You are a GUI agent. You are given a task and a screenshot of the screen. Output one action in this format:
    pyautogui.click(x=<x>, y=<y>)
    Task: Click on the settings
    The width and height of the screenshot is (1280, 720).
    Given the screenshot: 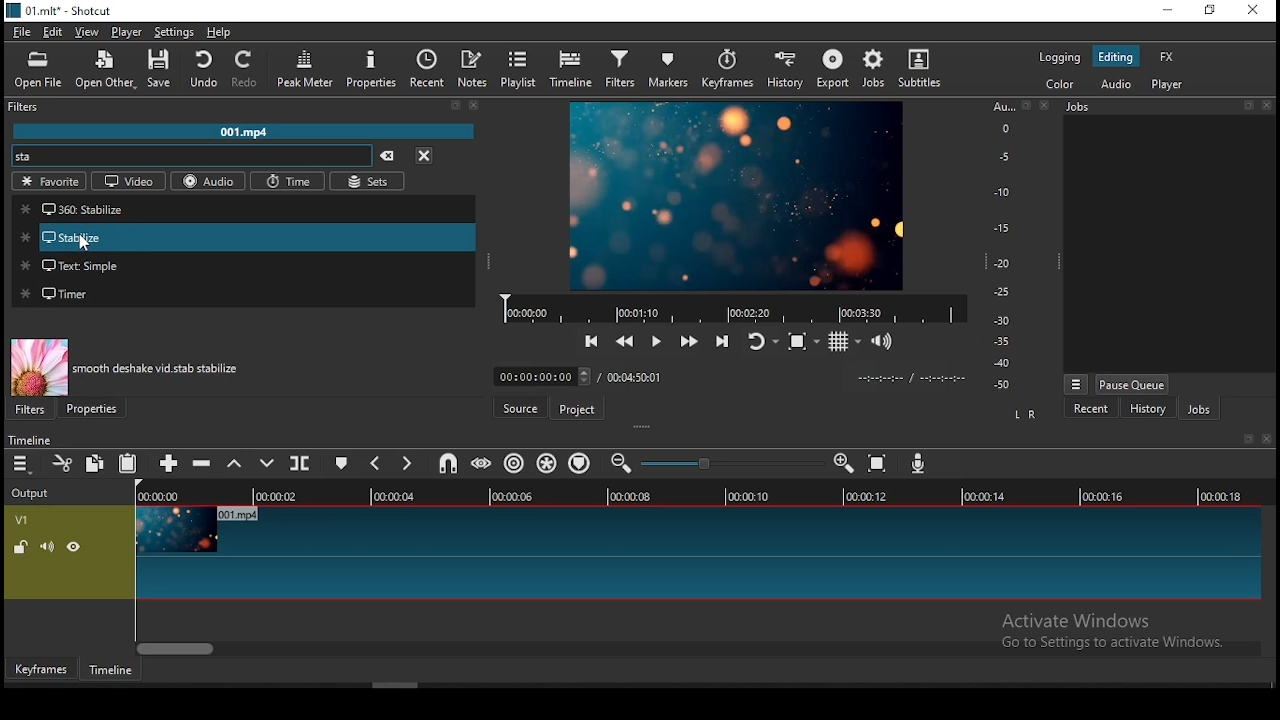 What is the action you would take?
    pyautogui.click(x=177, y=30)
    